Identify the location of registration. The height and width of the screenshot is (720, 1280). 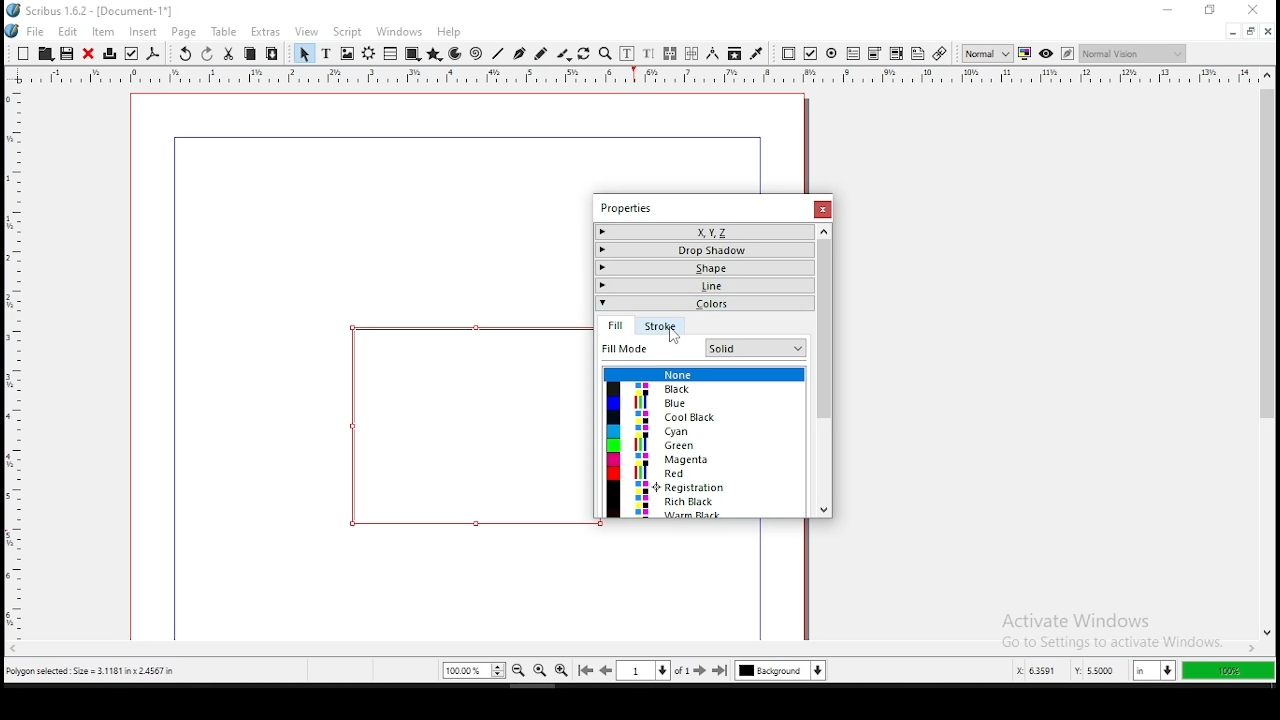
(704, 487).